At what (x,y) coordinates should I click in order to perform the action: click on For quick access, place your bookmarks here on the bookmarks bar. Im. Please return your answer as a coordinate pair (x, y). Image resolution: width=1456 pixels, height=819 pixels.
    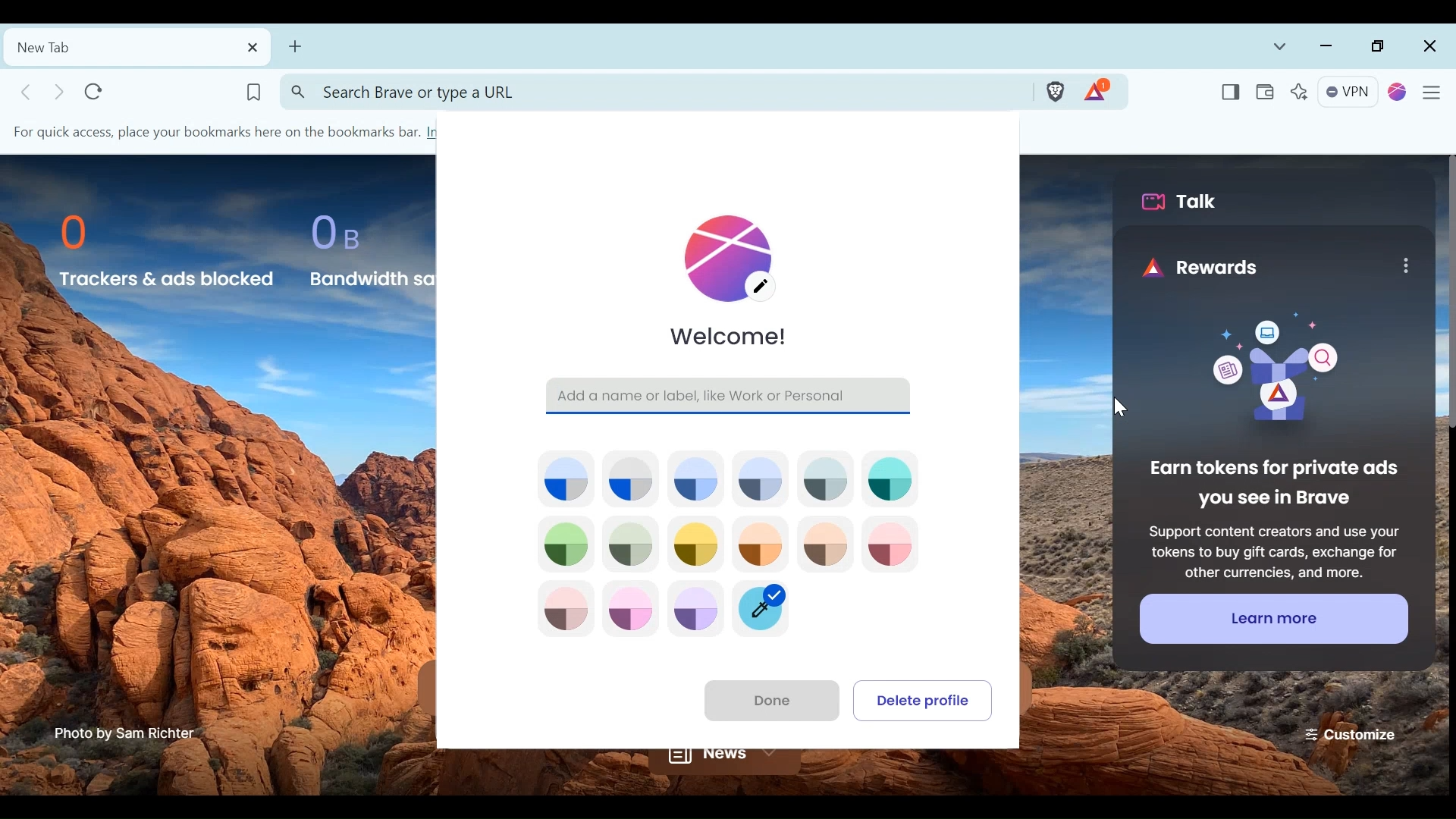
    Looking at the image, I should click on (231, 130).